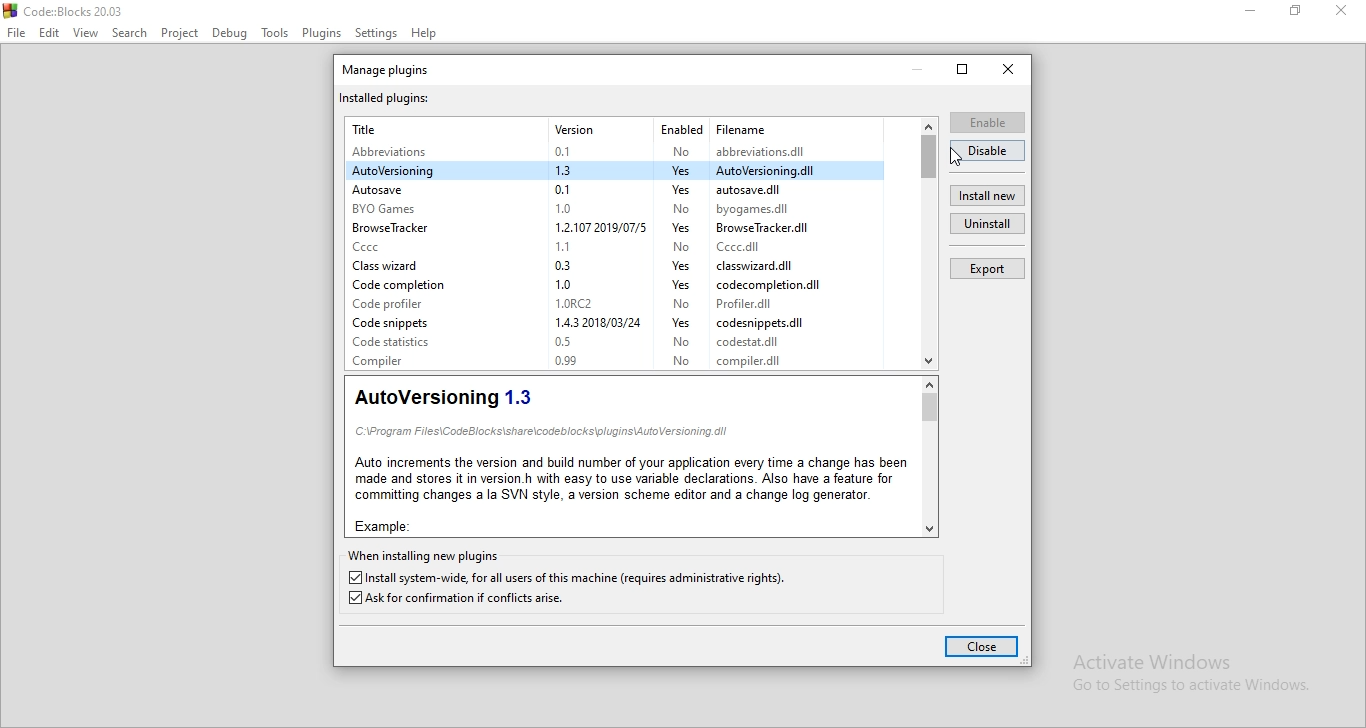  What do you see at coordinates (565, 342) in the screenshot?
I see `0.5` at bounding box center [565, 342].